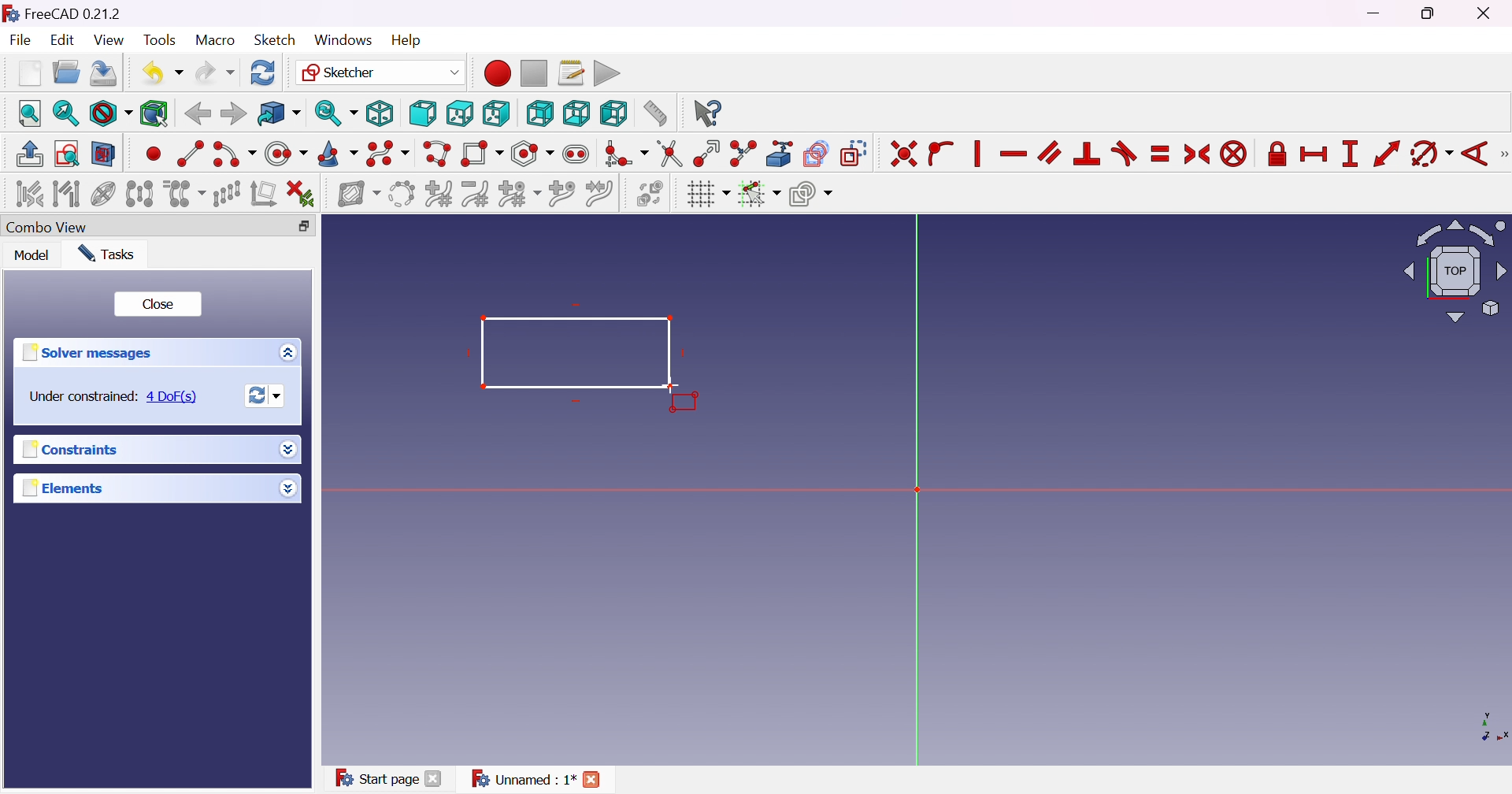 The height and width of the screenshot is (794, 1512). Describe the element at coordinates (105, 154) in the screenshot. I see `View section` at that location.